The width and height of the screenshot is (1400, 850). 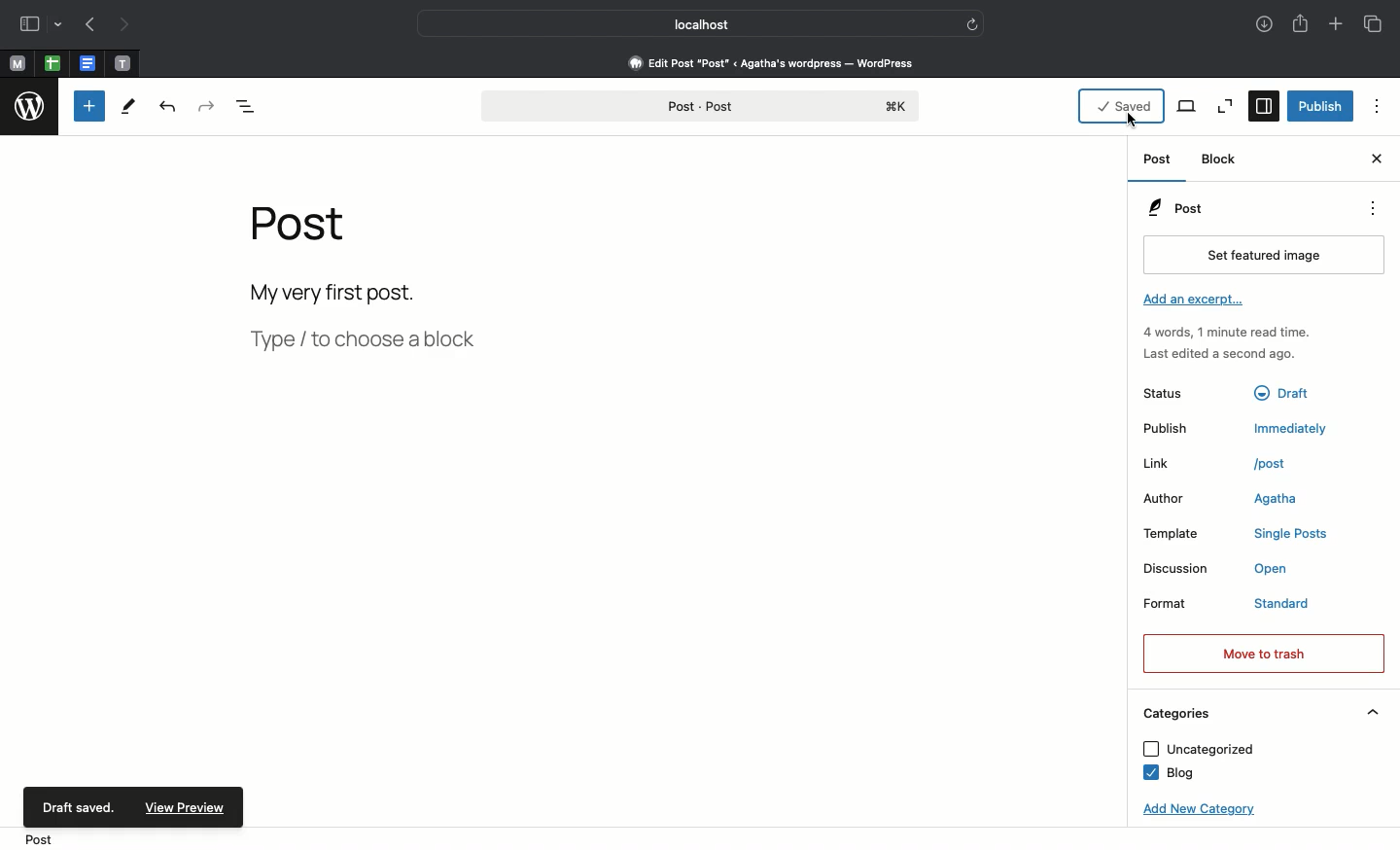 I want to click on Author, so click(x=1173, y=500).